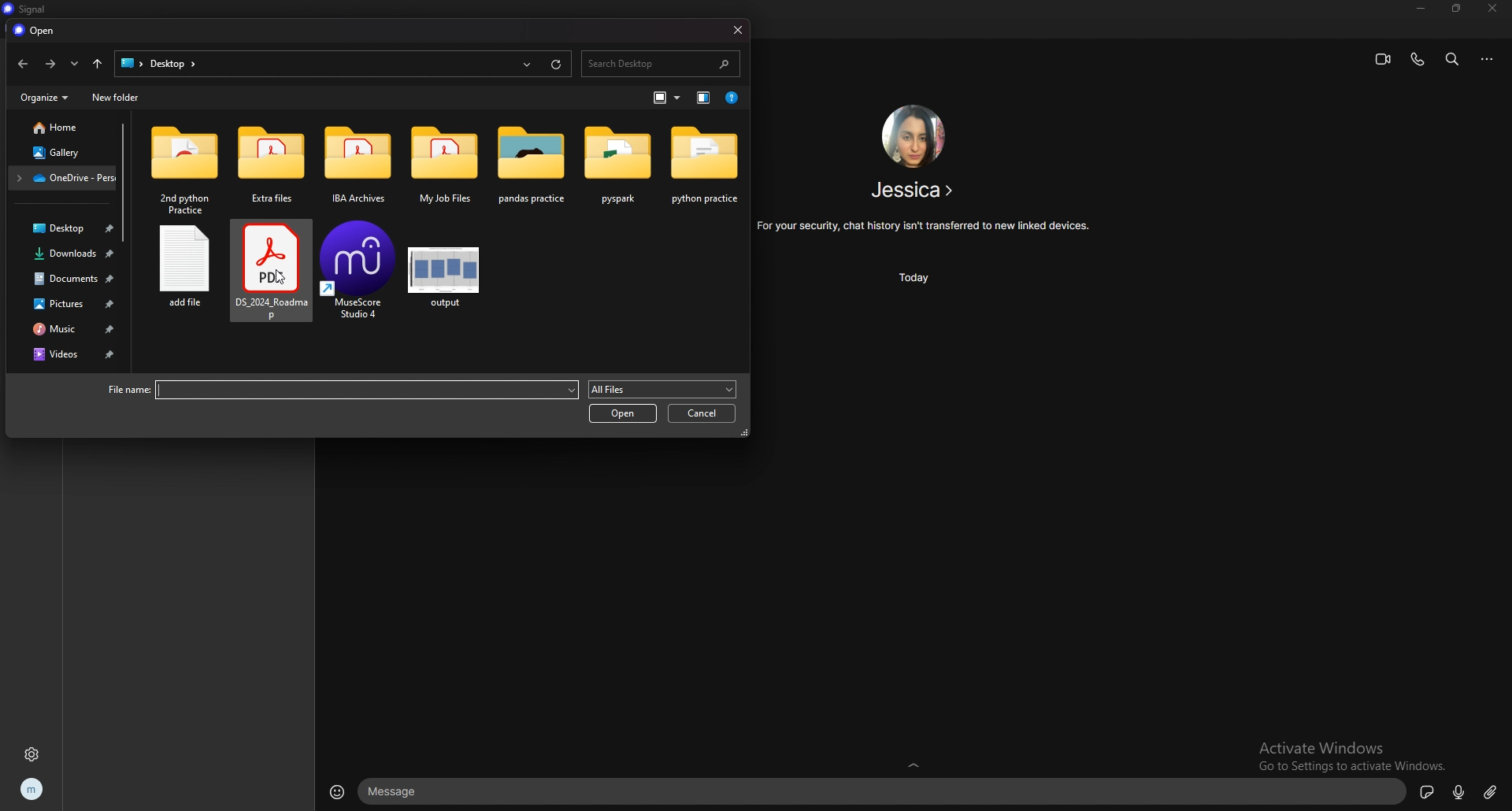  I want to click on folder, so click(185, 171).